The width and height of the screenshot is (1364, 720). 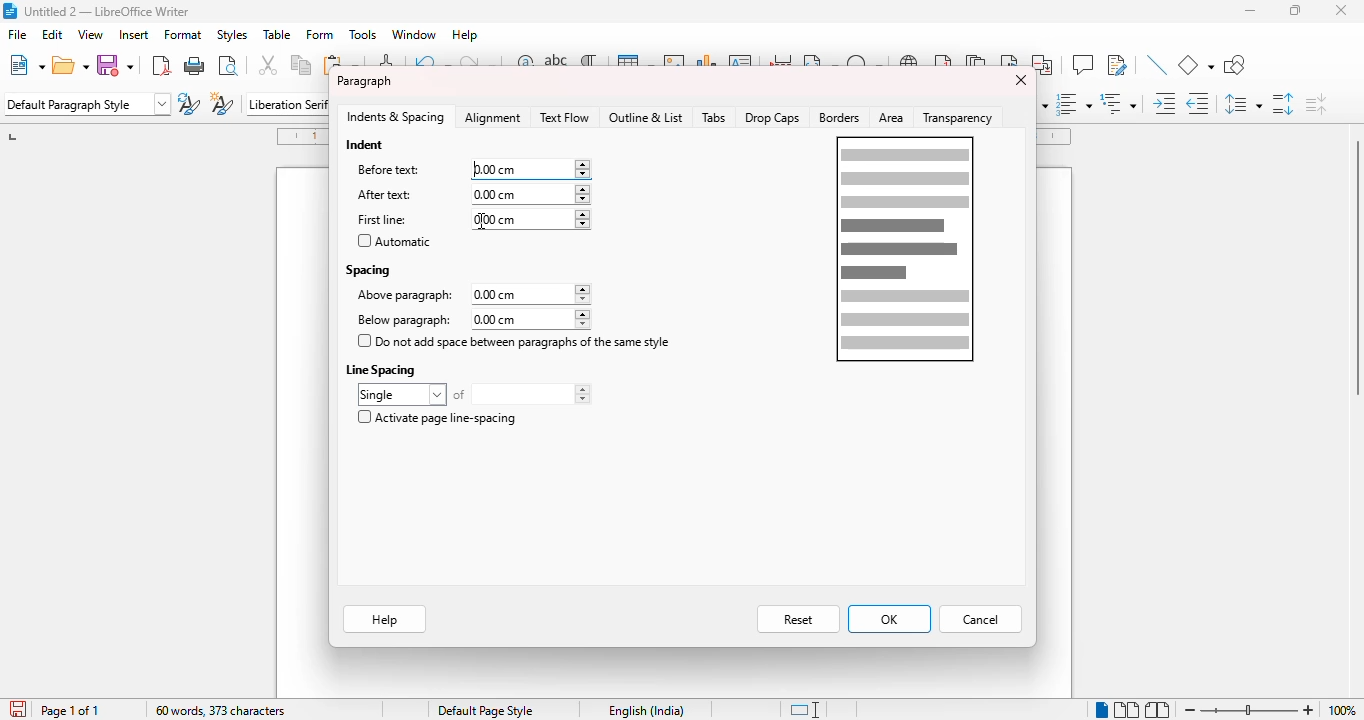 I want to click on select outline format, so click(x=1119, y=103).